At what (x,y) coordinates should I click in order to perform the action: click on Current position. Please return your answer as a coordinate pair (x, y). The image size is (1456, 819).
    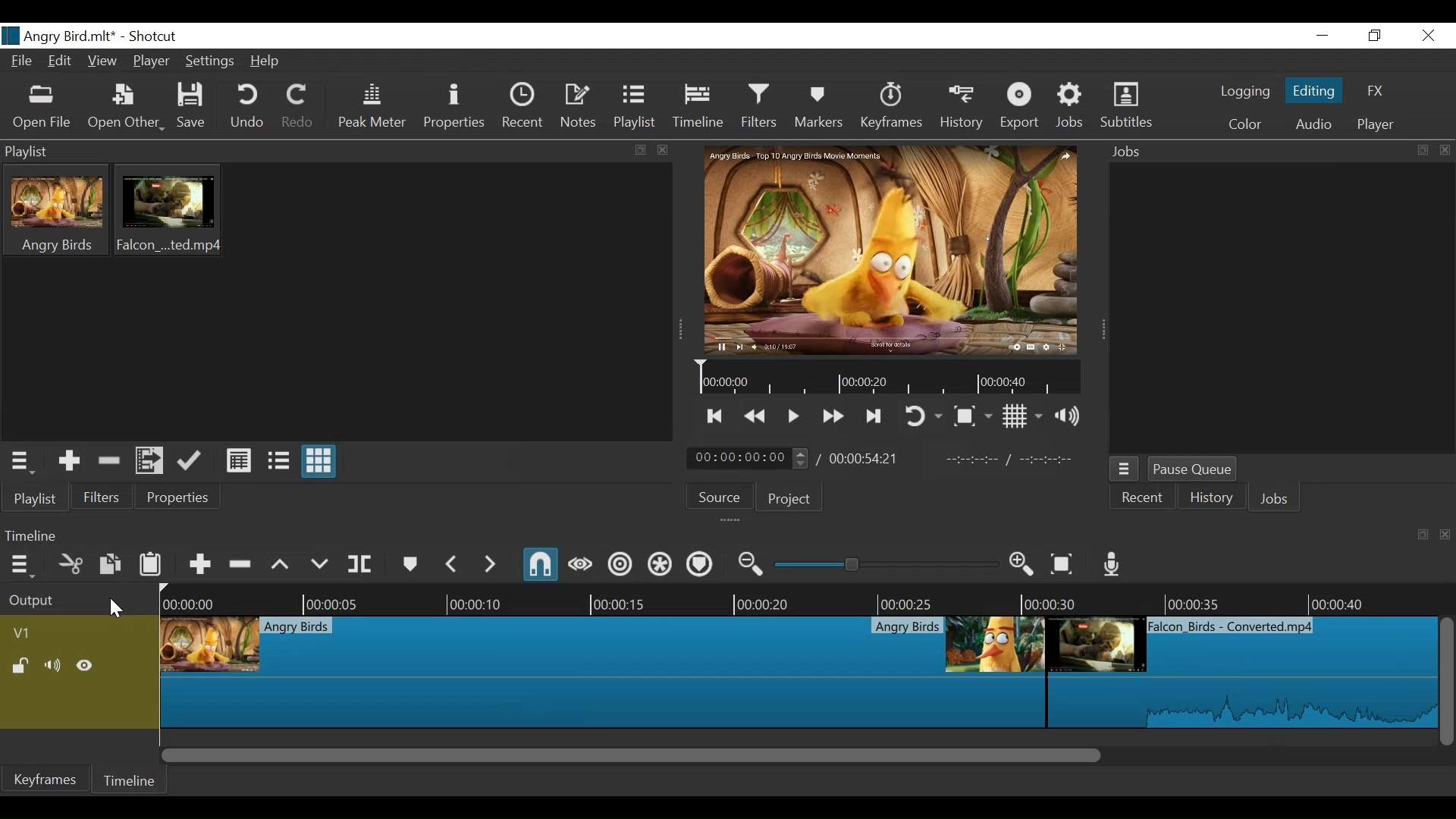
    Looking at the image, I should click on (747, 458).